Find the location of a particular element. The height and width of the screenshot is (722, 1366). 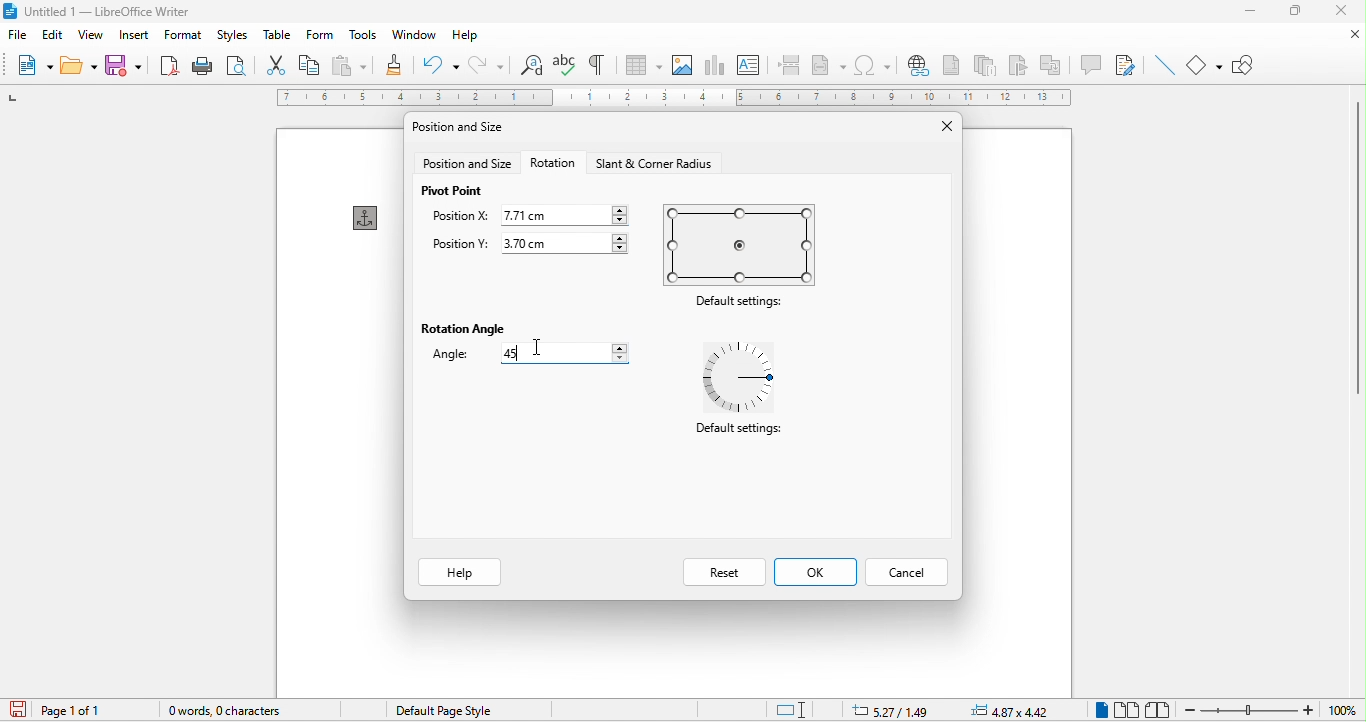

Cursor is located at coordinates (538, 352).